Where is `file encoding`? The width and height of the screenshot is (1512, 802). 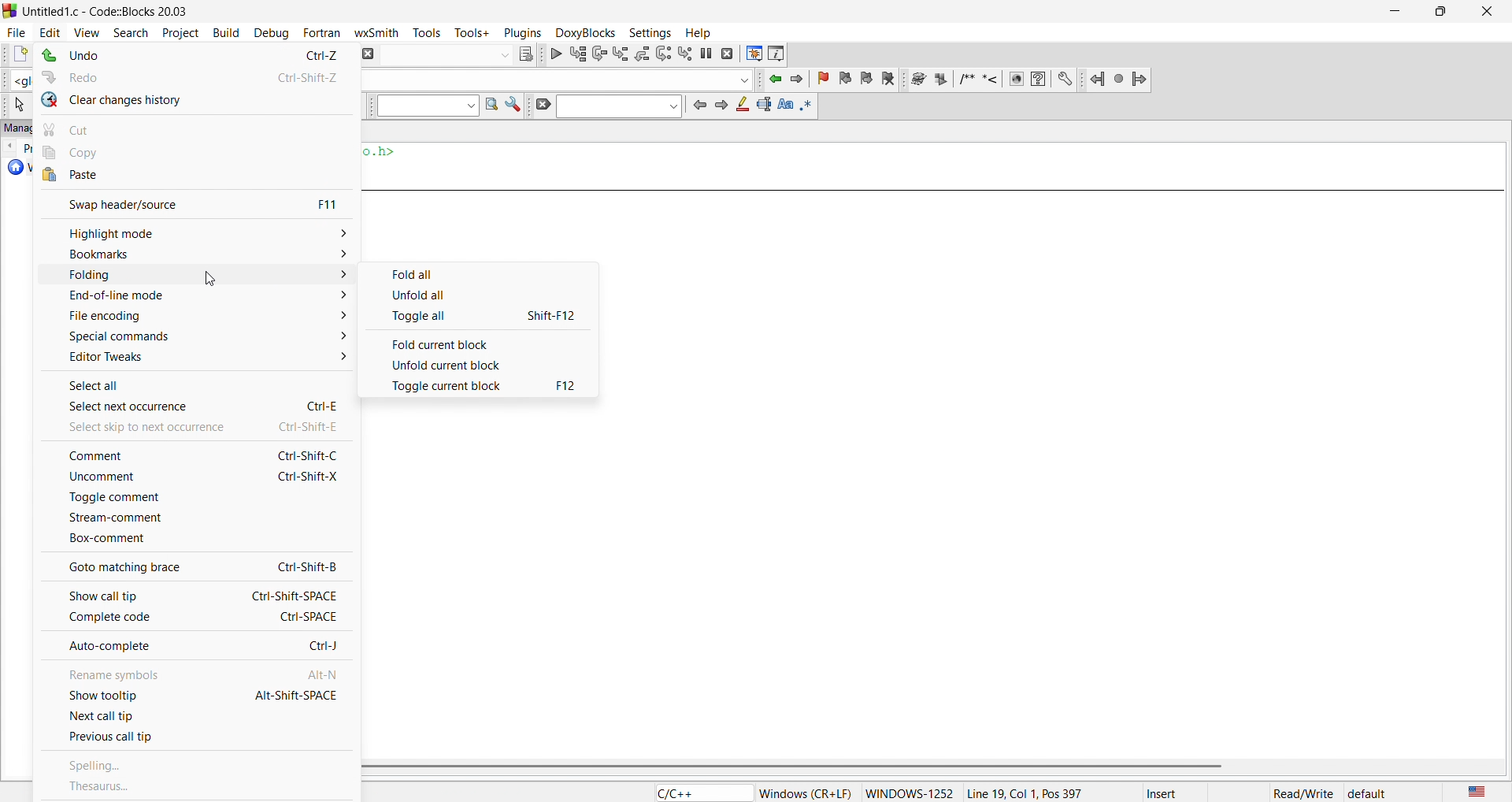 file encoding is located at coordinates (192, 317).